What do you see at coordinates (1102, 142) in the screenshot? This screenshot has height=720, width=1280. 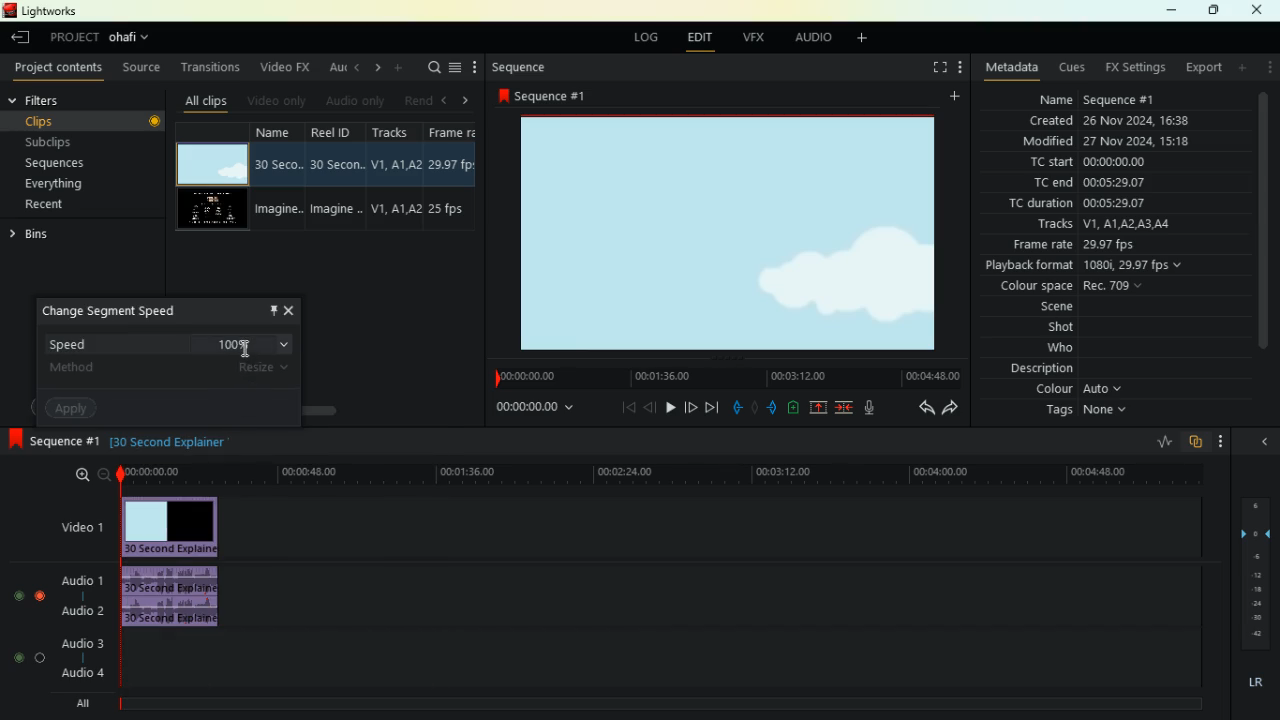 I see `modified` at bounding box center [1102, 142].